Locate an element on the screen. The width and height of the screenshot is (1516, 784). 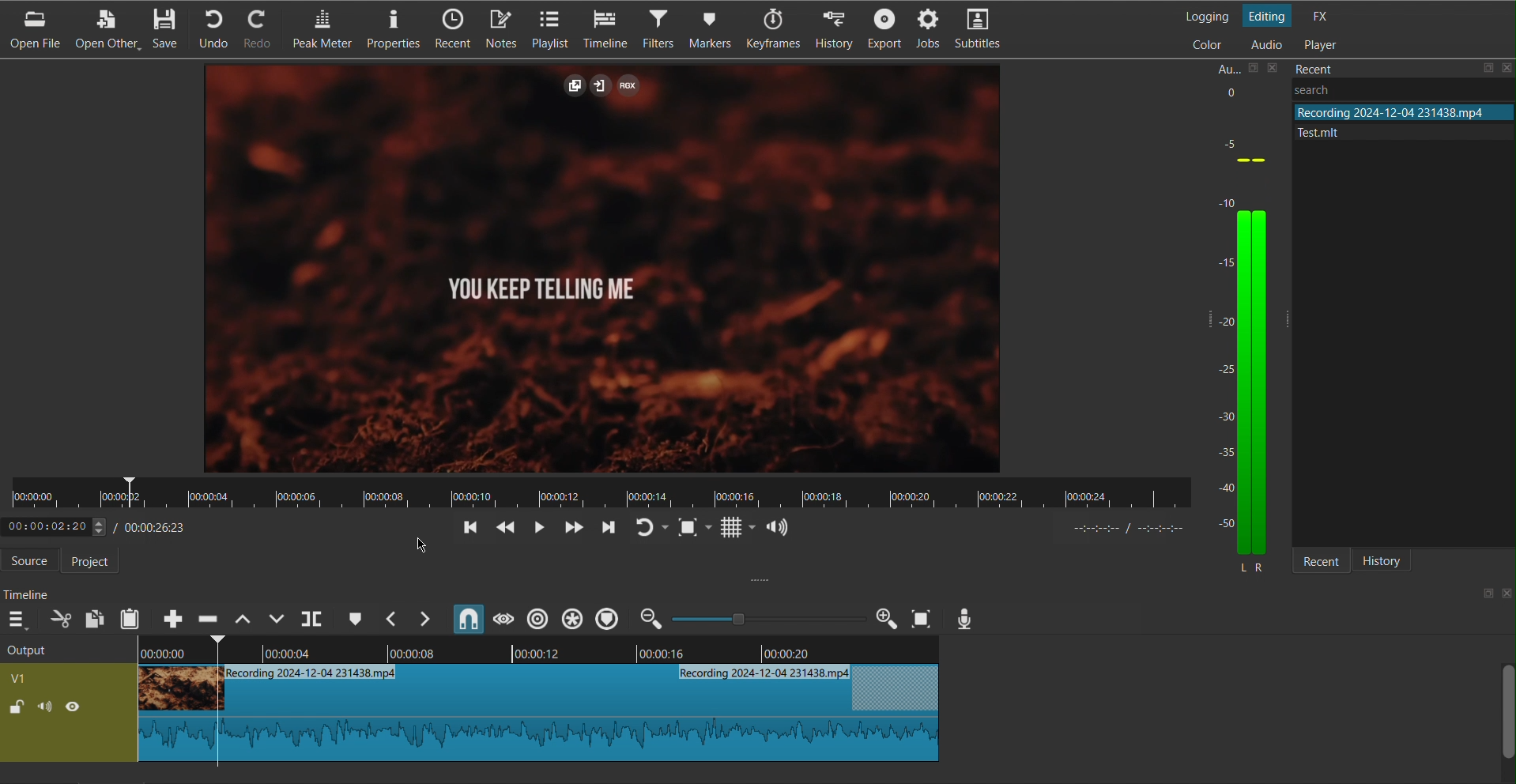
Skip Forward is located at coordinates (572, 528).